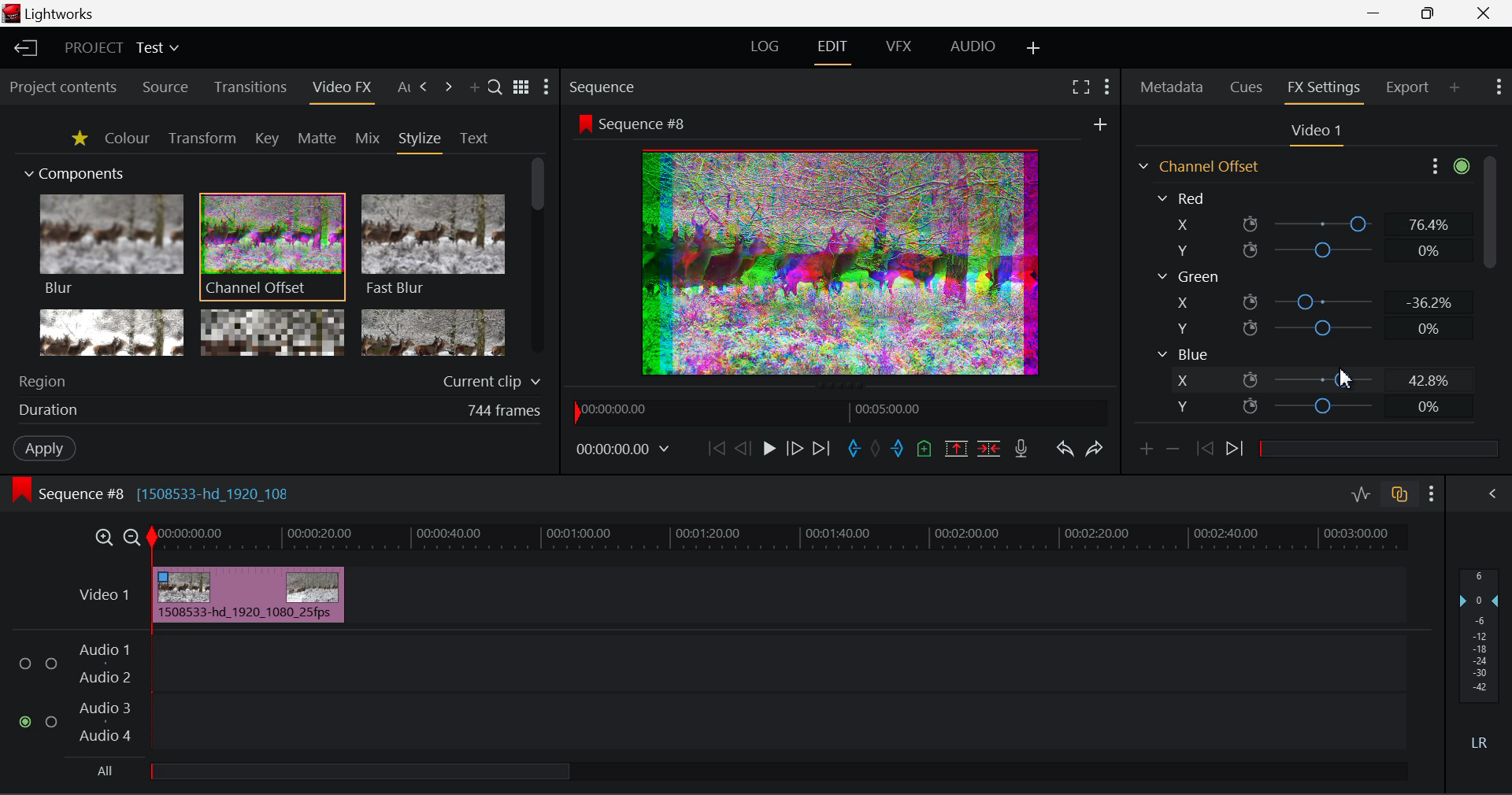  What do you see at coordinates (1447, 167) in the screenshot?
I see `Show Settings` at bounding box center [1447, 167].